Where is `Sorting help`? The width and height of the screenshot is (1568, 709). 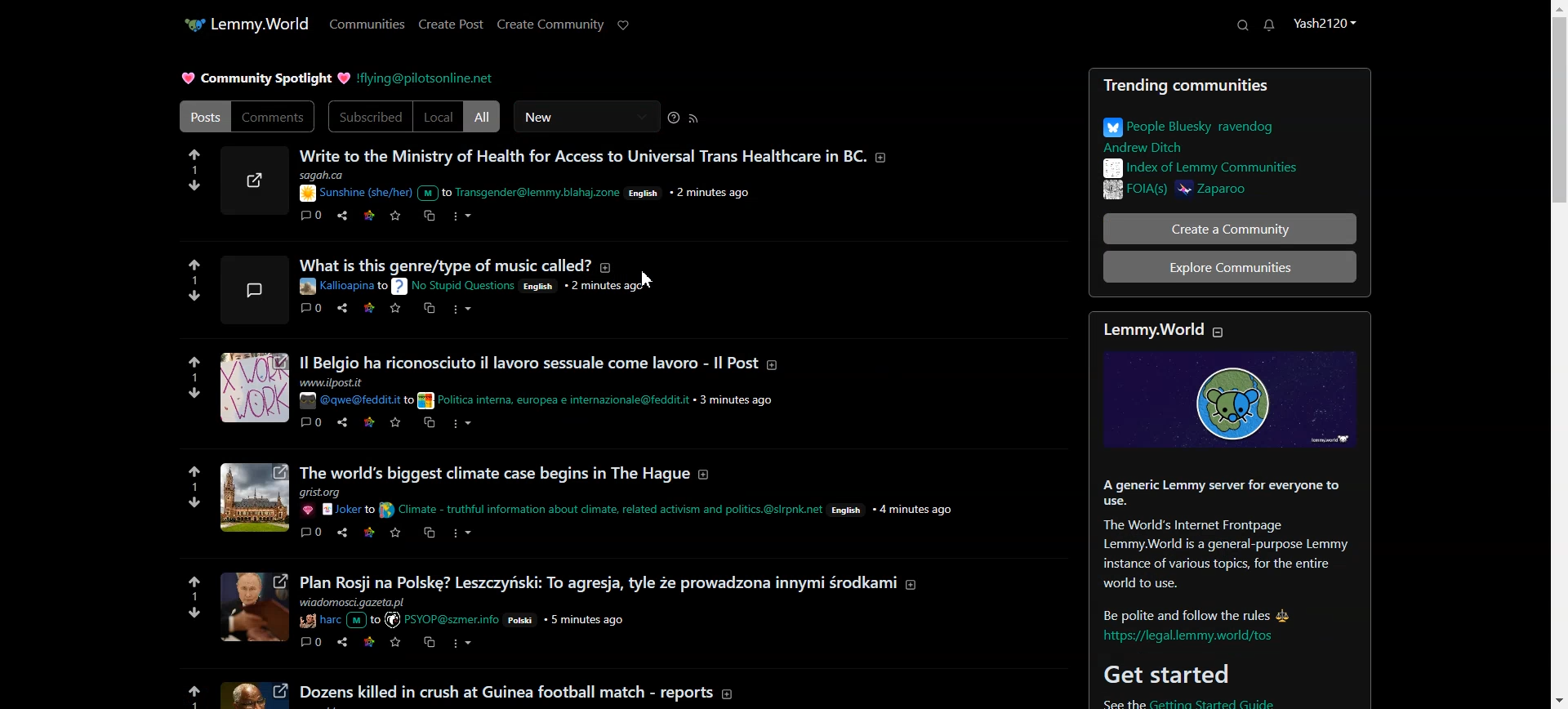
Sorting help is located at coordinates (675, 117).